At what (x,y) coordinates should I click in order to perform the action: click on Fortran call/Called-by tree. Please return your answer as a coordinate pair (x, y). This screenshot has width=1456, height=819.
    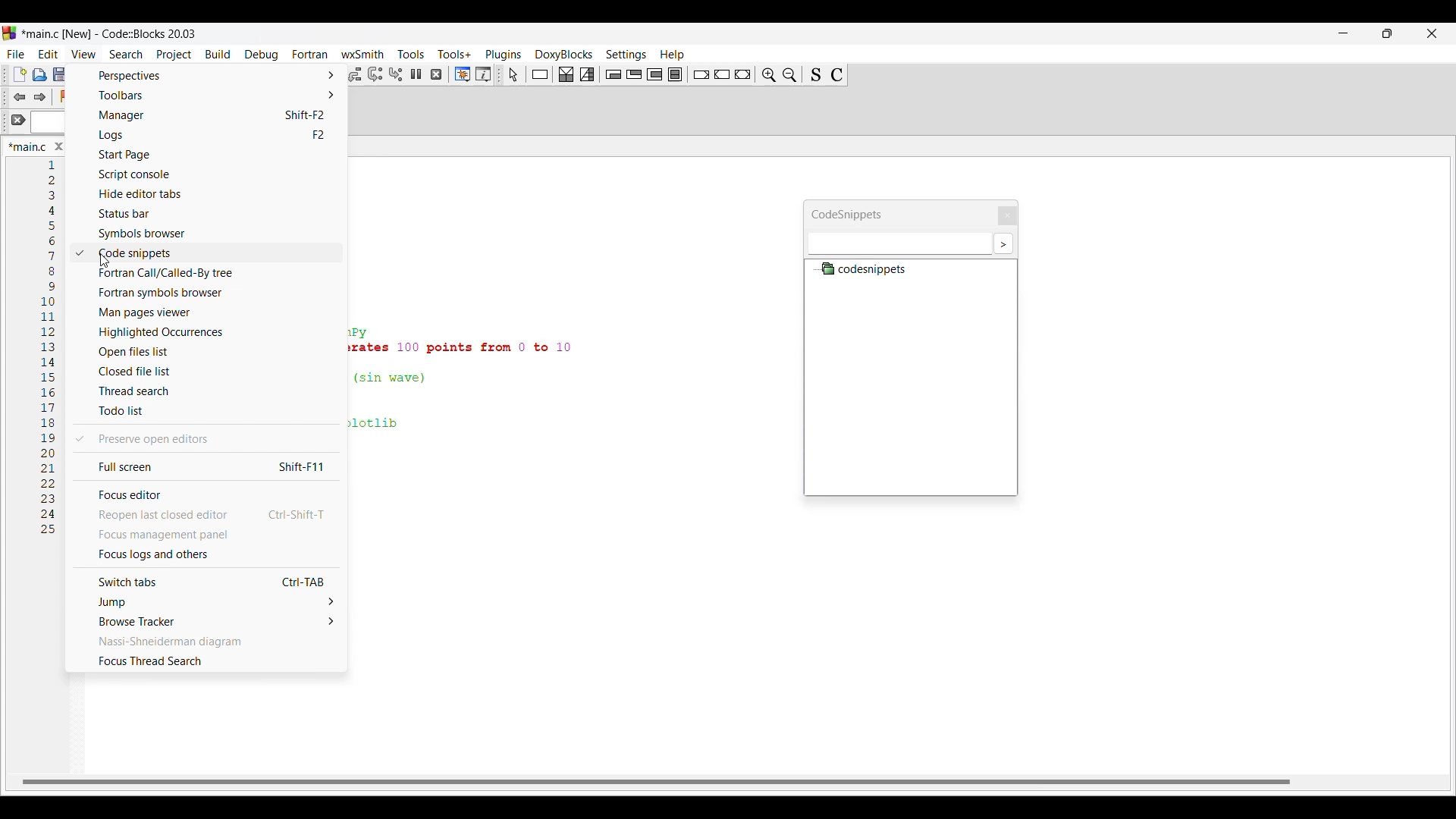
    Looking at the image, I should click on (216, 273).